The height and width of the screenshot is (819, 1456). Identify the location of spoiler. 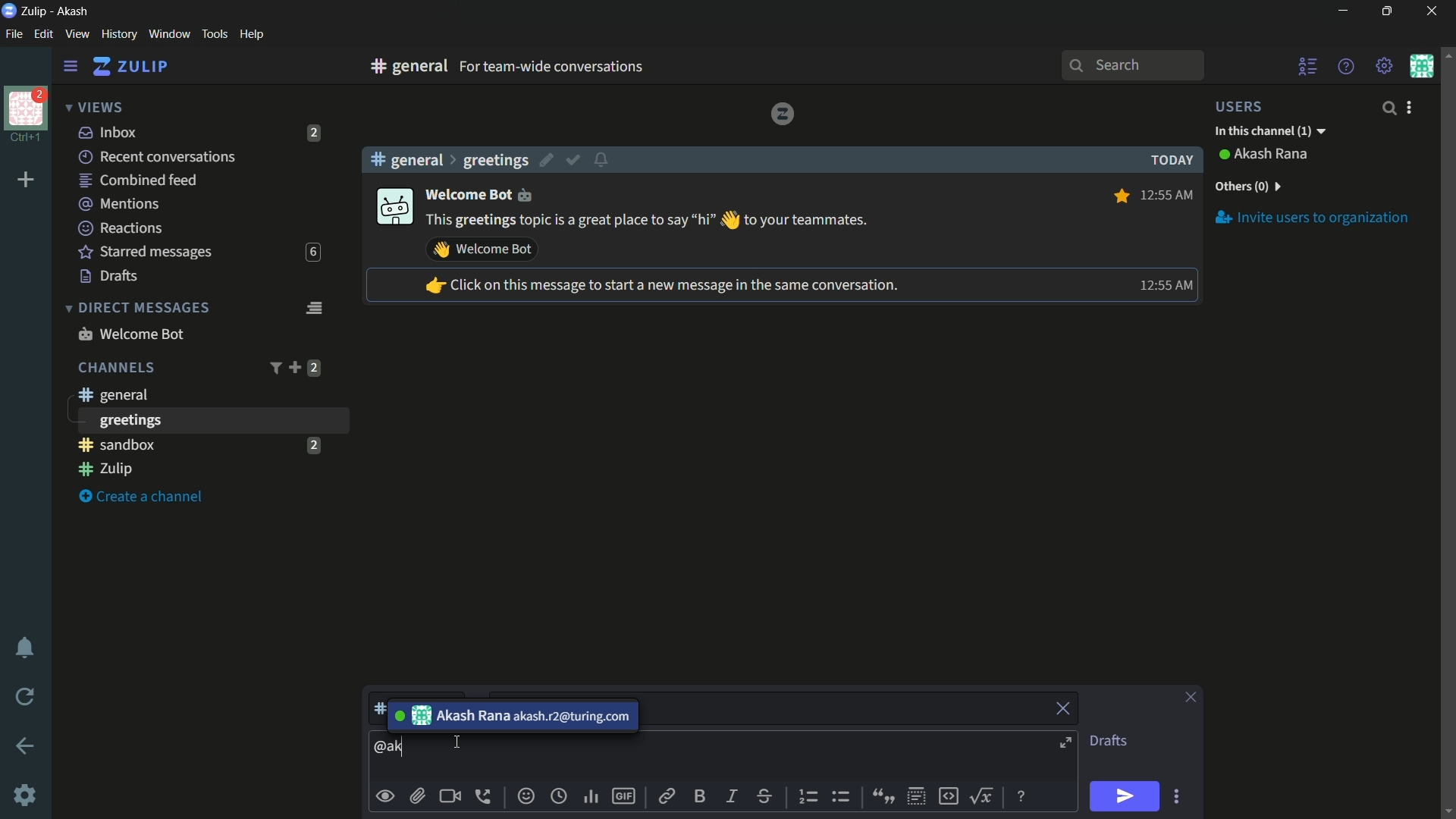
(916, 797).